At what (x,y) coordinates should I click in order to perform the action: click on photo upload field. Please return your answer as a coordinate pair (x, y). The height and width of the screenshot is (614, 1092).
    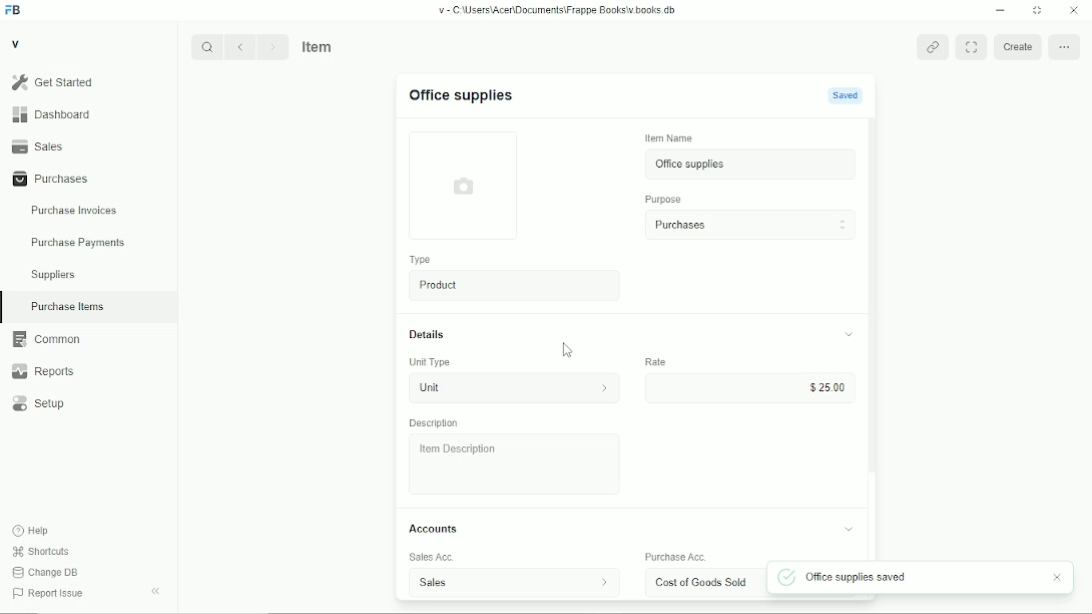
    Looking at the image, I should click on (465, 185).